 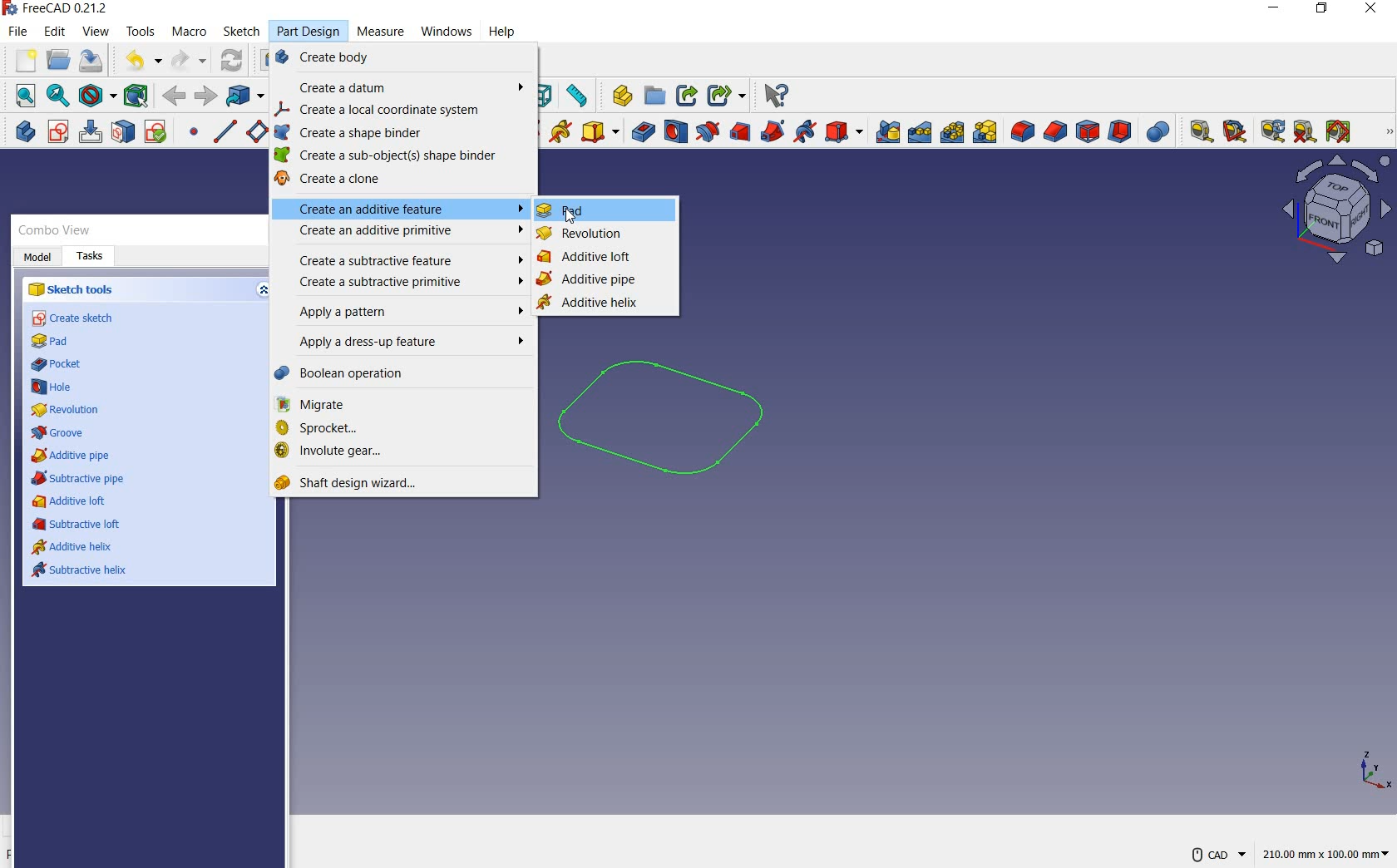 What do you see at coordinates (73, 456) in the screenshot?
I see `additive pipe` at bounding box center [73, 456].